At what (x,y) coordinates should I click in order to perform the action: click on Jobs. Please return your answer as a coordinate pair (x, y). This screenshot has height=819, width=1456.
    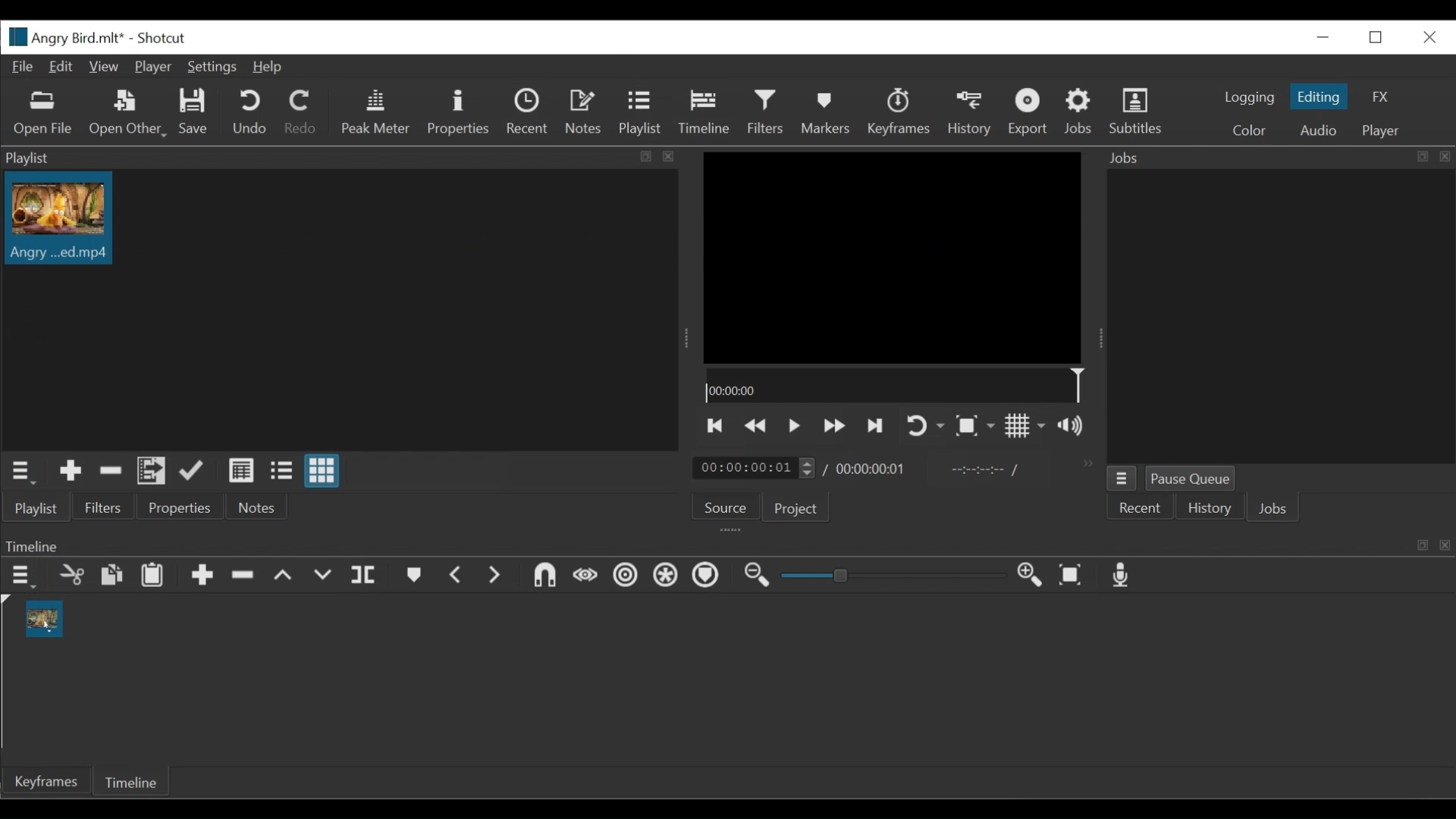
    Looking at the image, I should click on (1080, 113).